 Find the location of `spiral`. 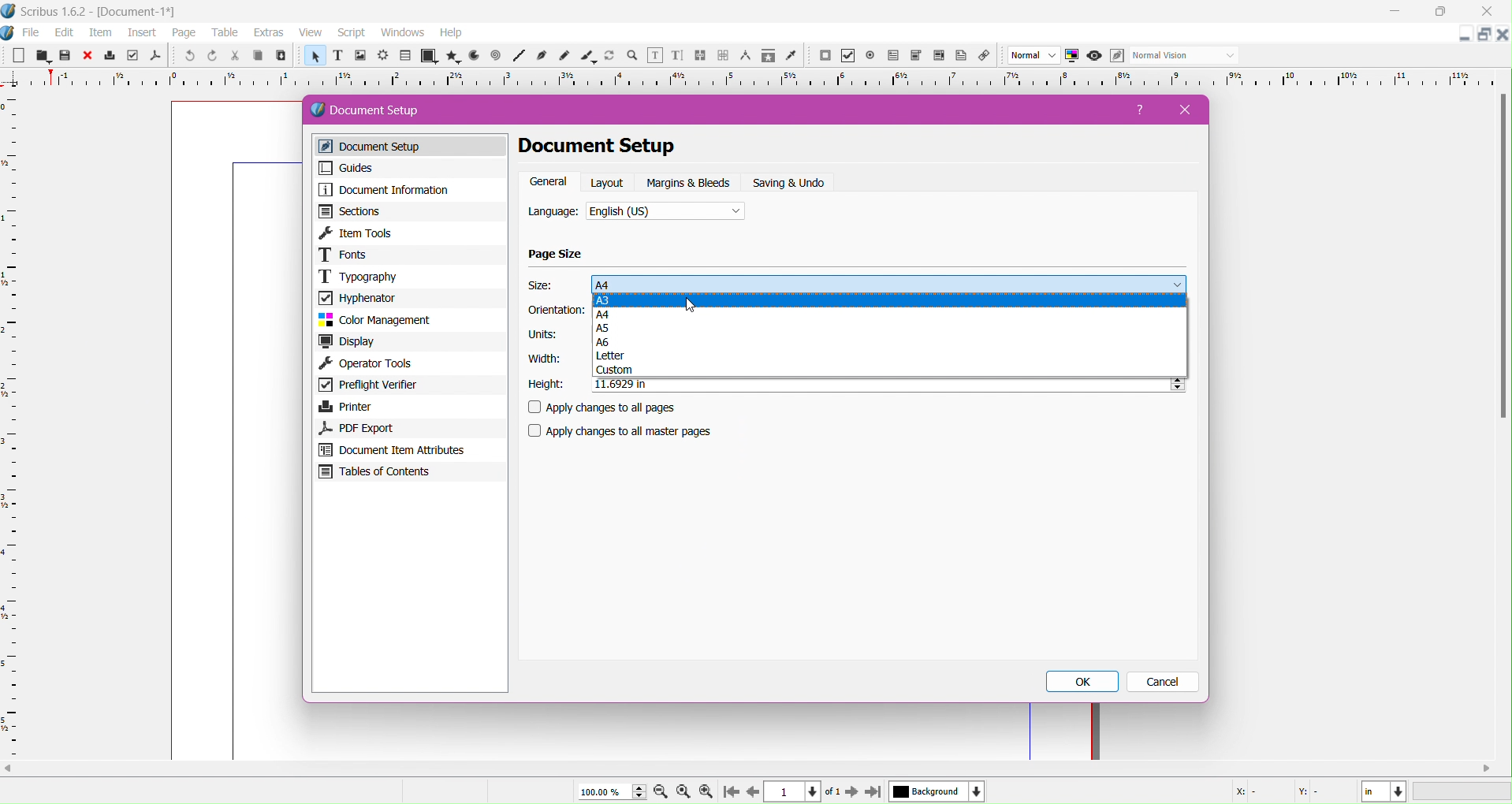

spiral is located at coordinates (496, 56).